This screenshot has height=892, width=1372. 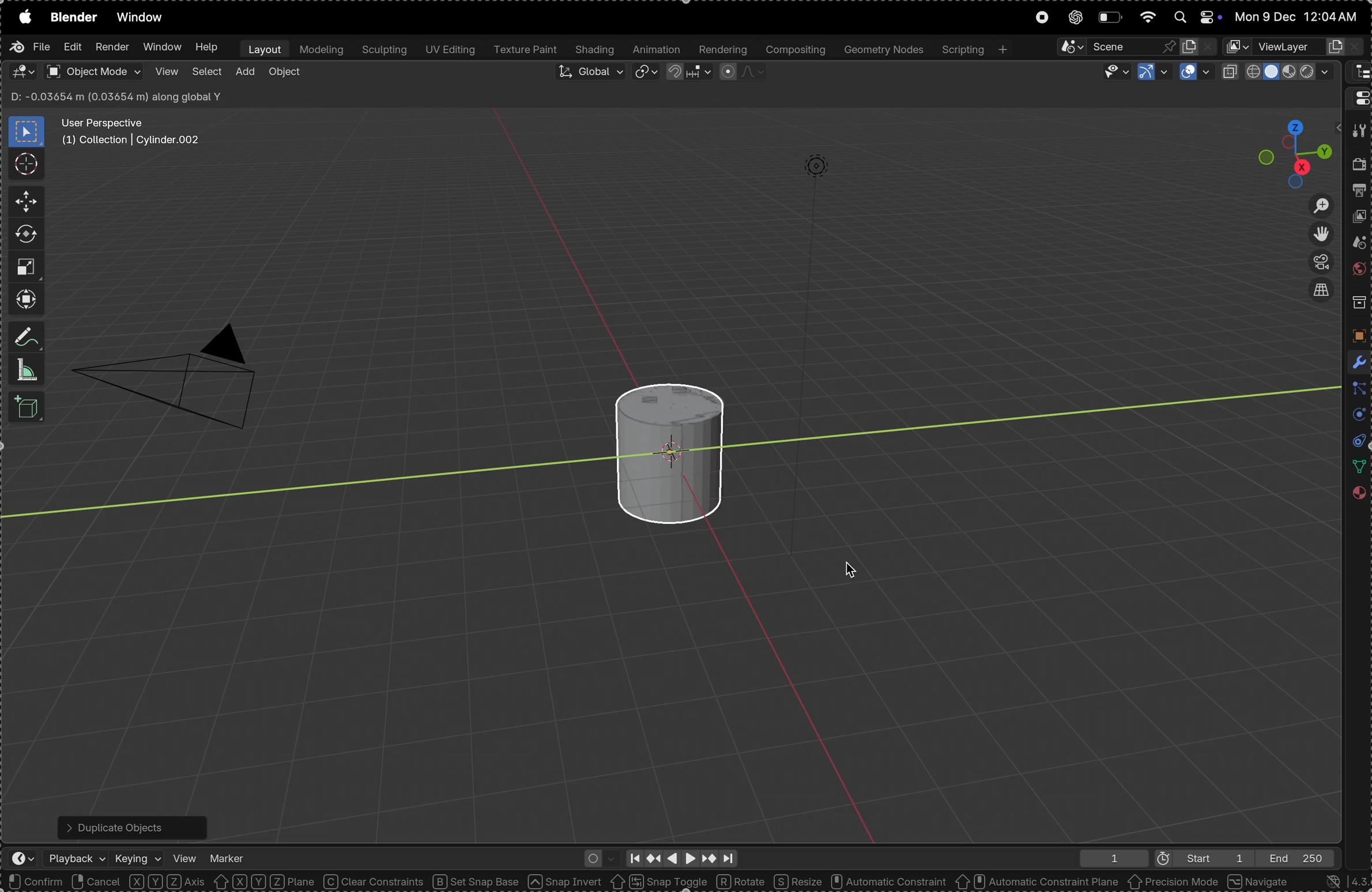 I want to click on show gimzo, so click(x=1151, y=73).